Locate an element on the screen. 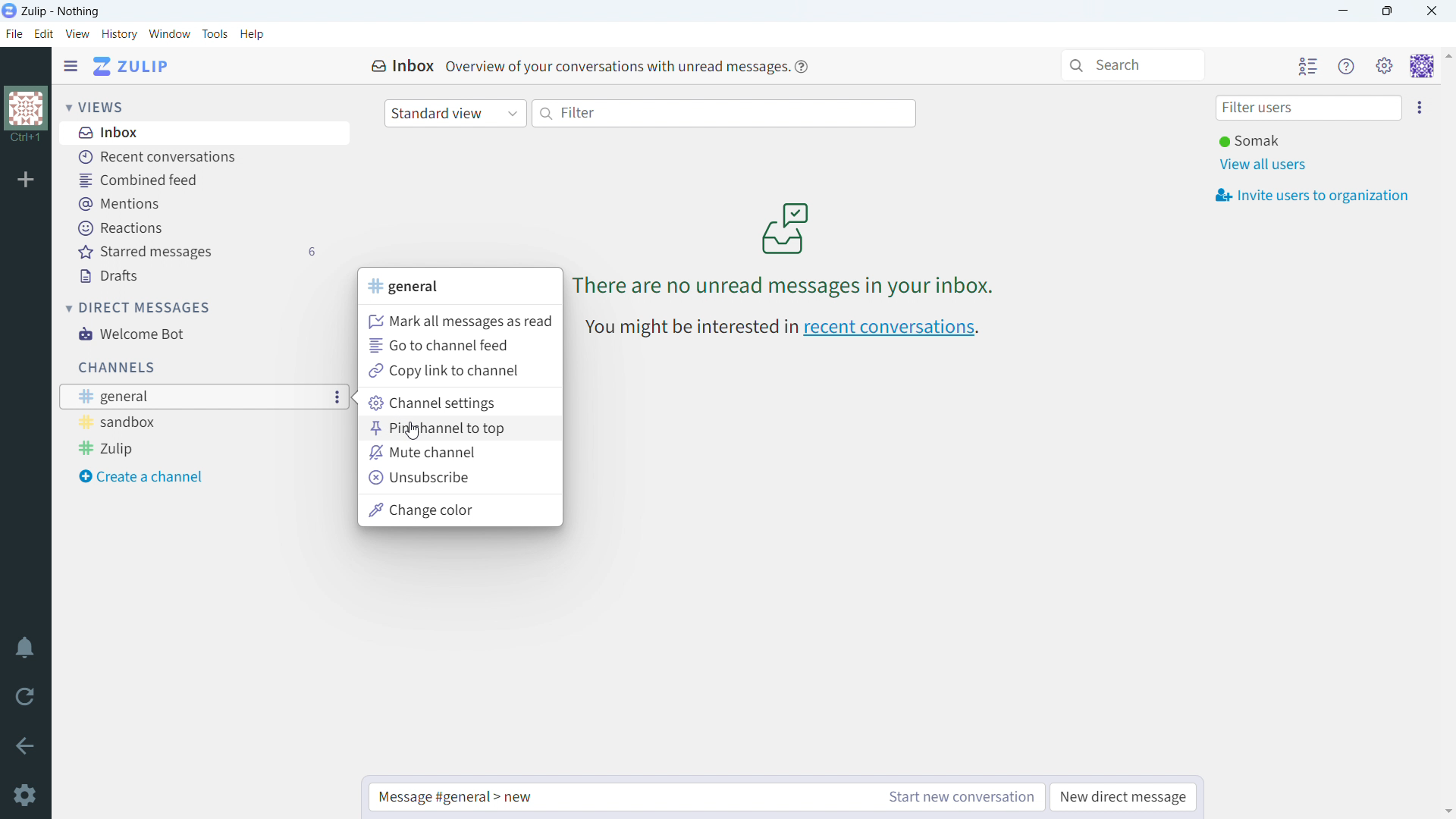 This screenshot has width=1456, height=819. hide sidebar menu is located at coordinates (71, 67).